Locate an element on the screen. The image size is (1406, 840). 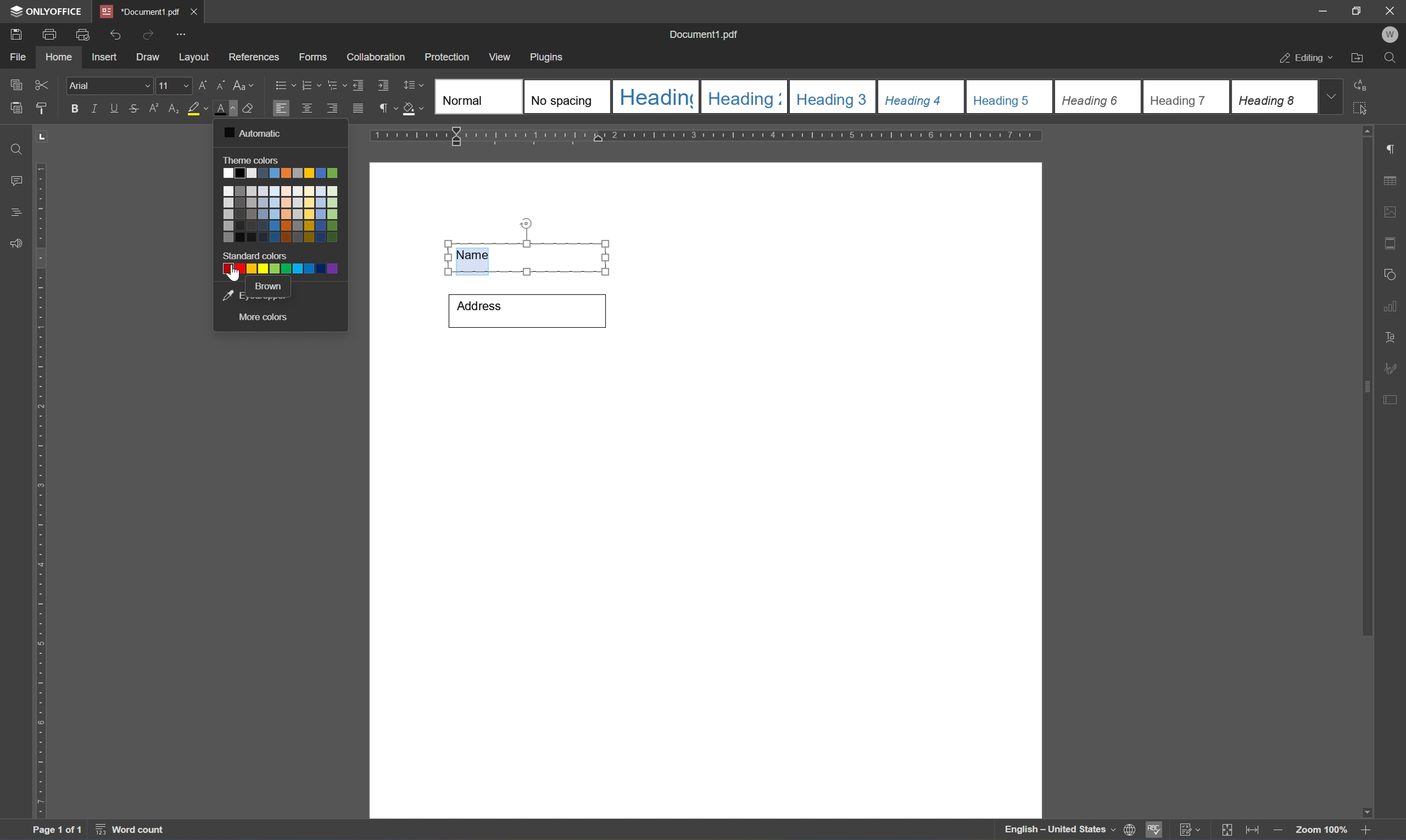
scroll bar is located at coordinates (1367, 388).